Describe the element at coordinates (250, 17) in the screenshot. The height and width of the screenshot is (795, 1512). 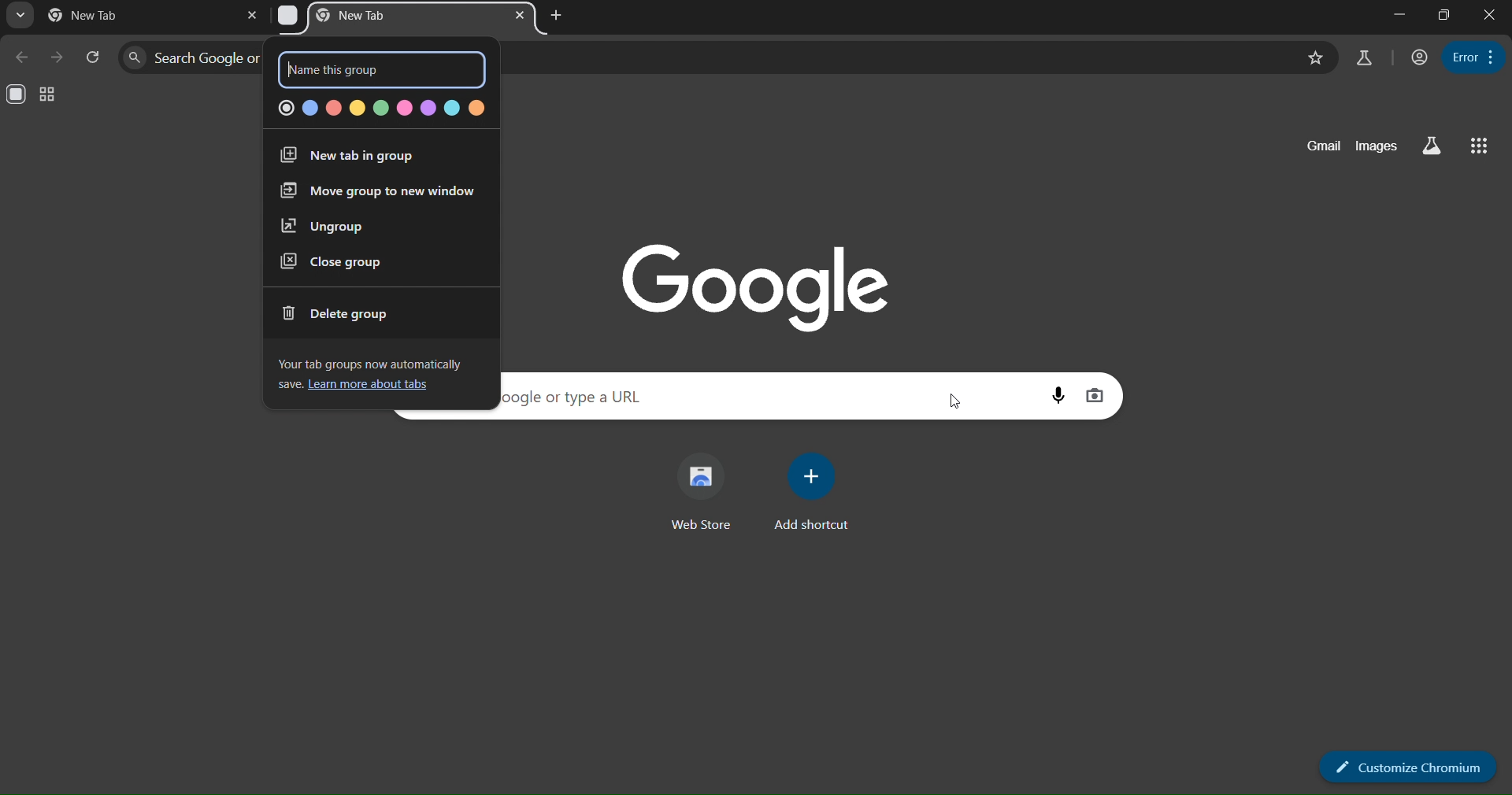
I see `close tab` at that location.